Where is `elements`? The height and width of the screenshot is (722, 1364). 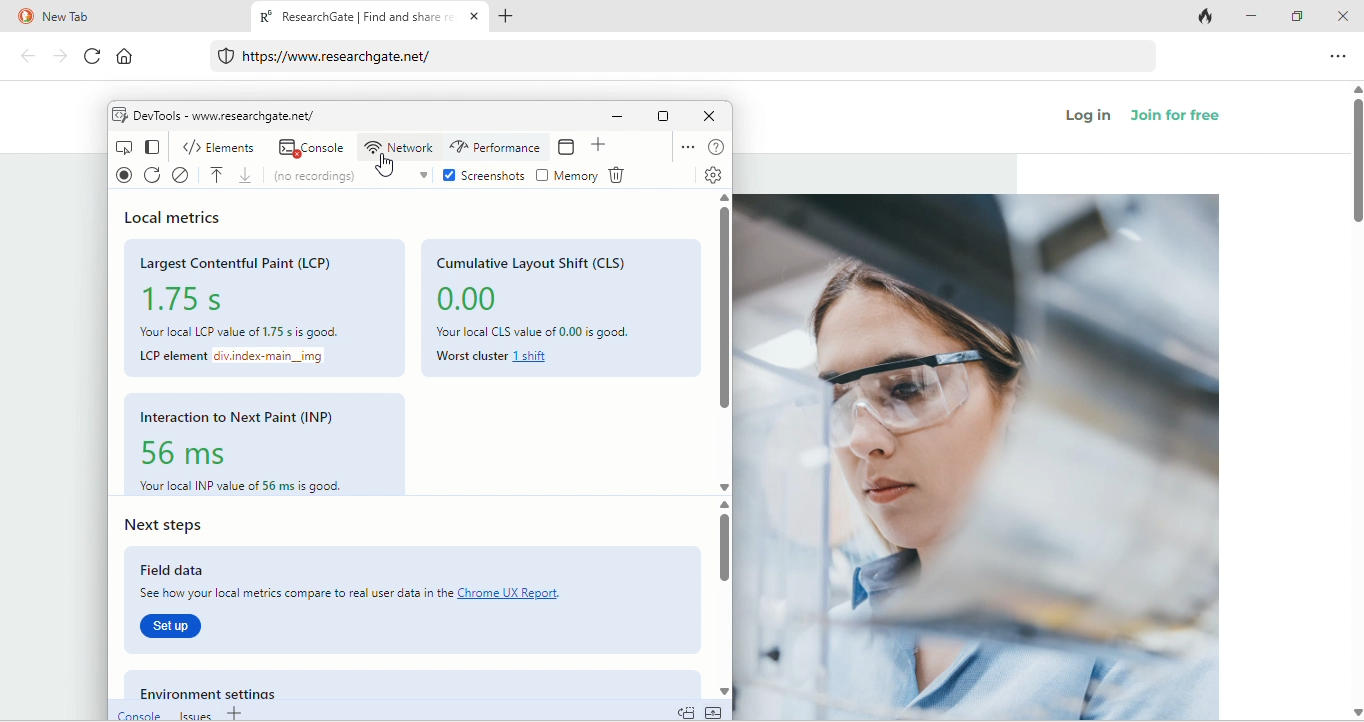
elements is located at coordinates (221, 145).